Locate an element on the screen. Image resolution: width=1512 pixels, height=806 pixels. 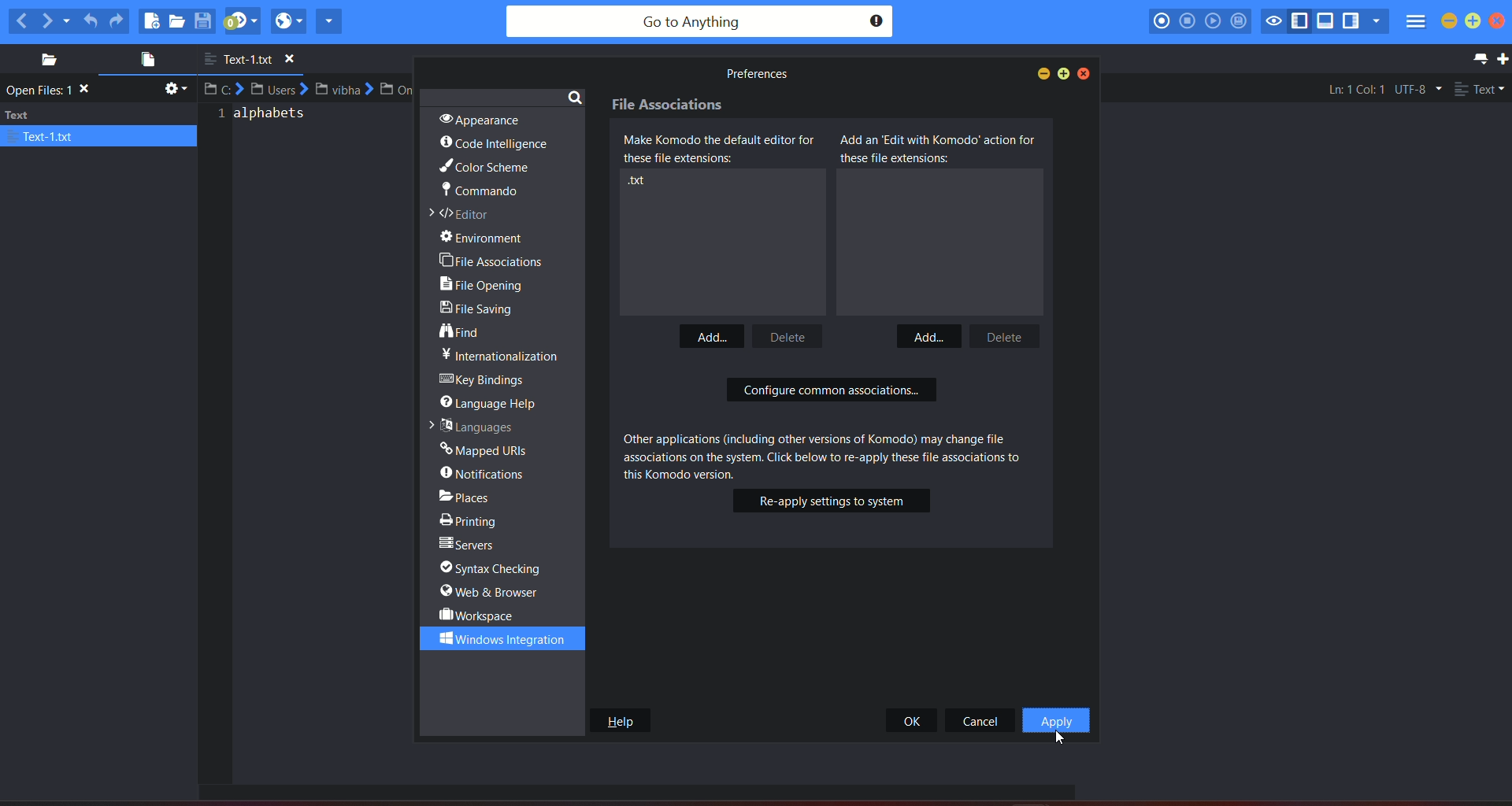
save macro is located at coordinates (1239, 22).